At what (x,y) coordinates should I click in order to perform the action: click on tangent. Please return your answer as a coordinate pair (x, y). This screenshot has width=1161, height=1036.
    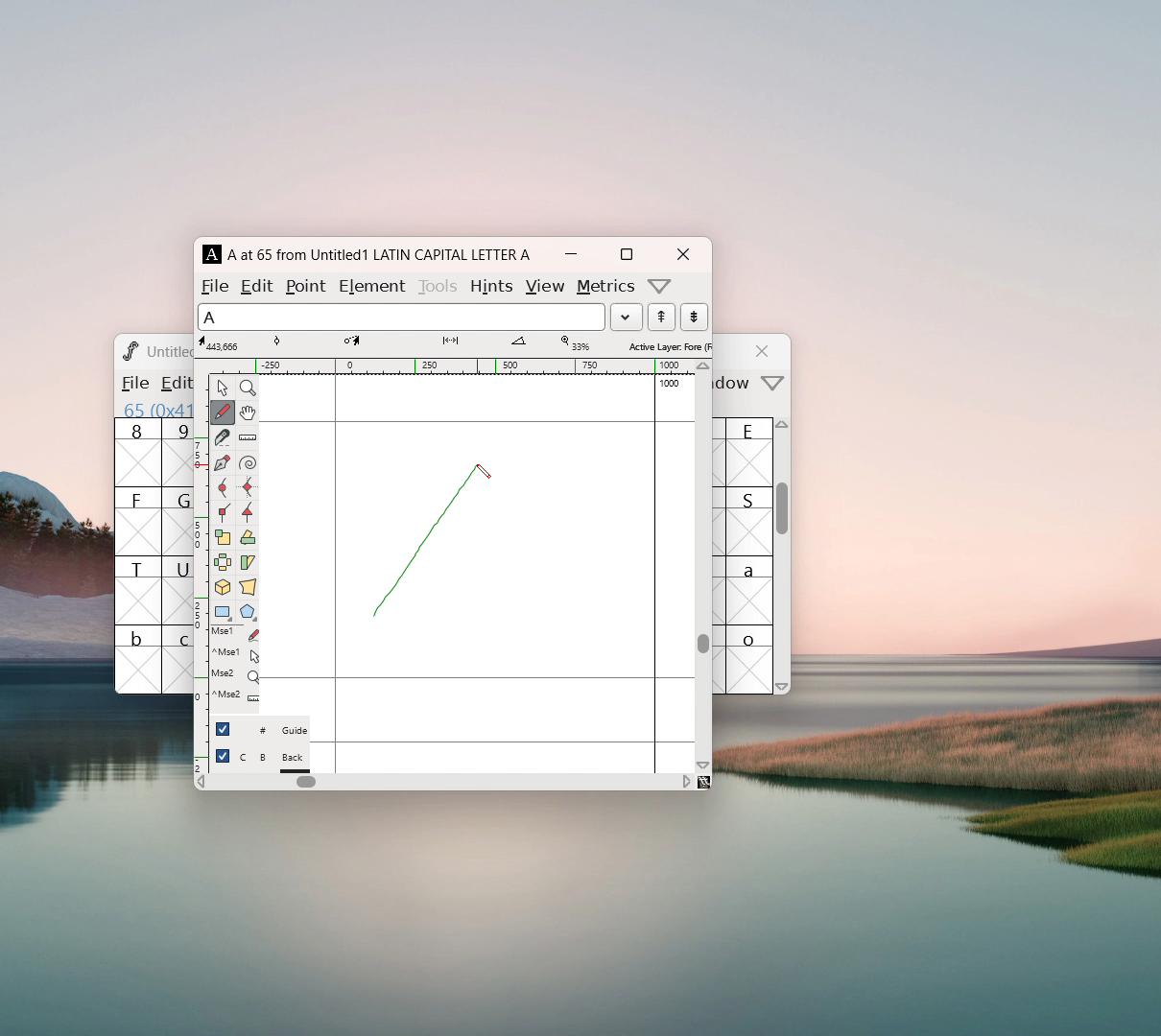
    Looking at the image, I should click on (276, 343).